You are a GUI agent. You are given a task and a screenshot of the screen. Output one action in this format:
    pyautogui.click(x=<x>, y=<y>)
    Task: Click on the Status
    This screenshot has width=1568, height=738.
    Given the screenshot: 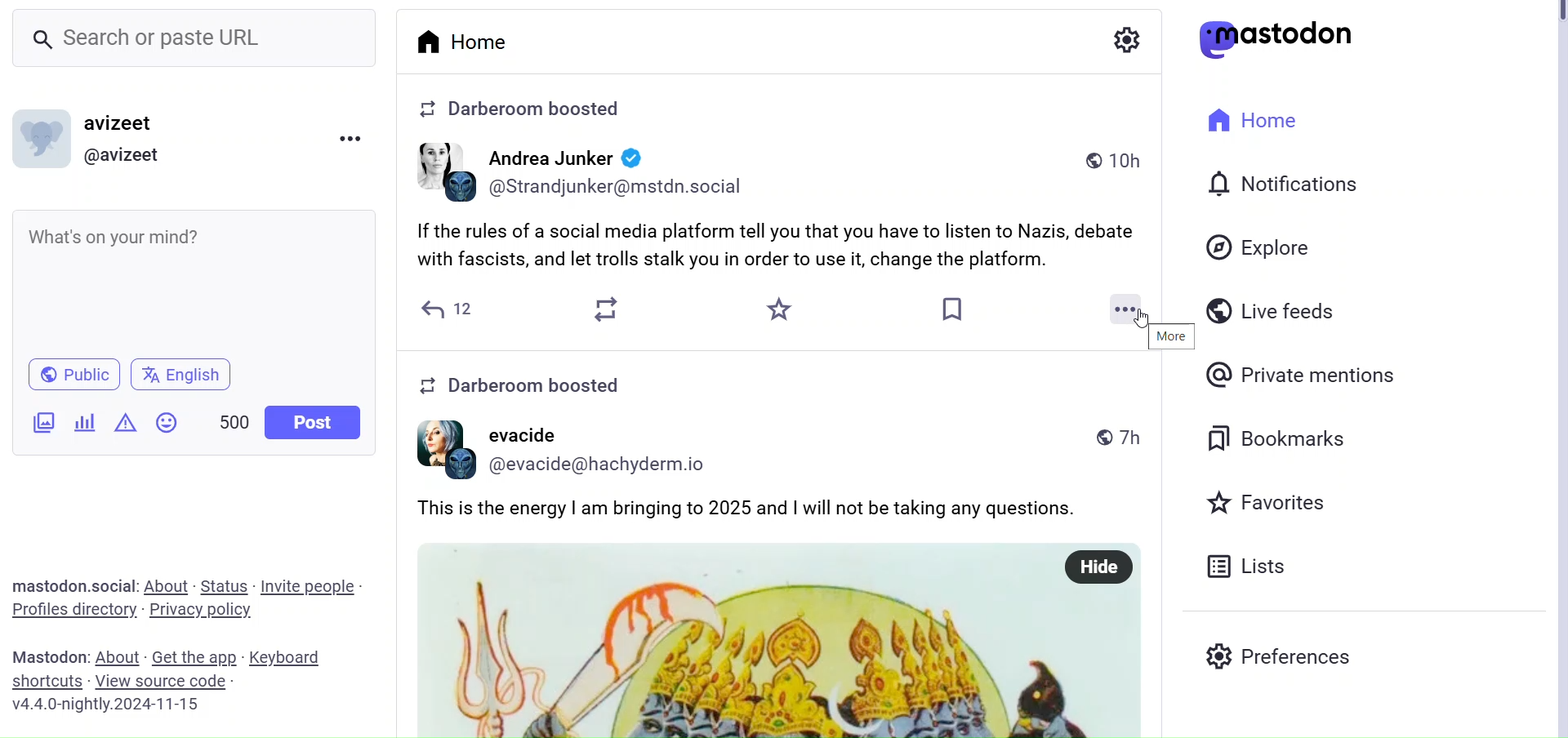 What is the action you would take?
    pyautogui.click(x=224, y=585)
    